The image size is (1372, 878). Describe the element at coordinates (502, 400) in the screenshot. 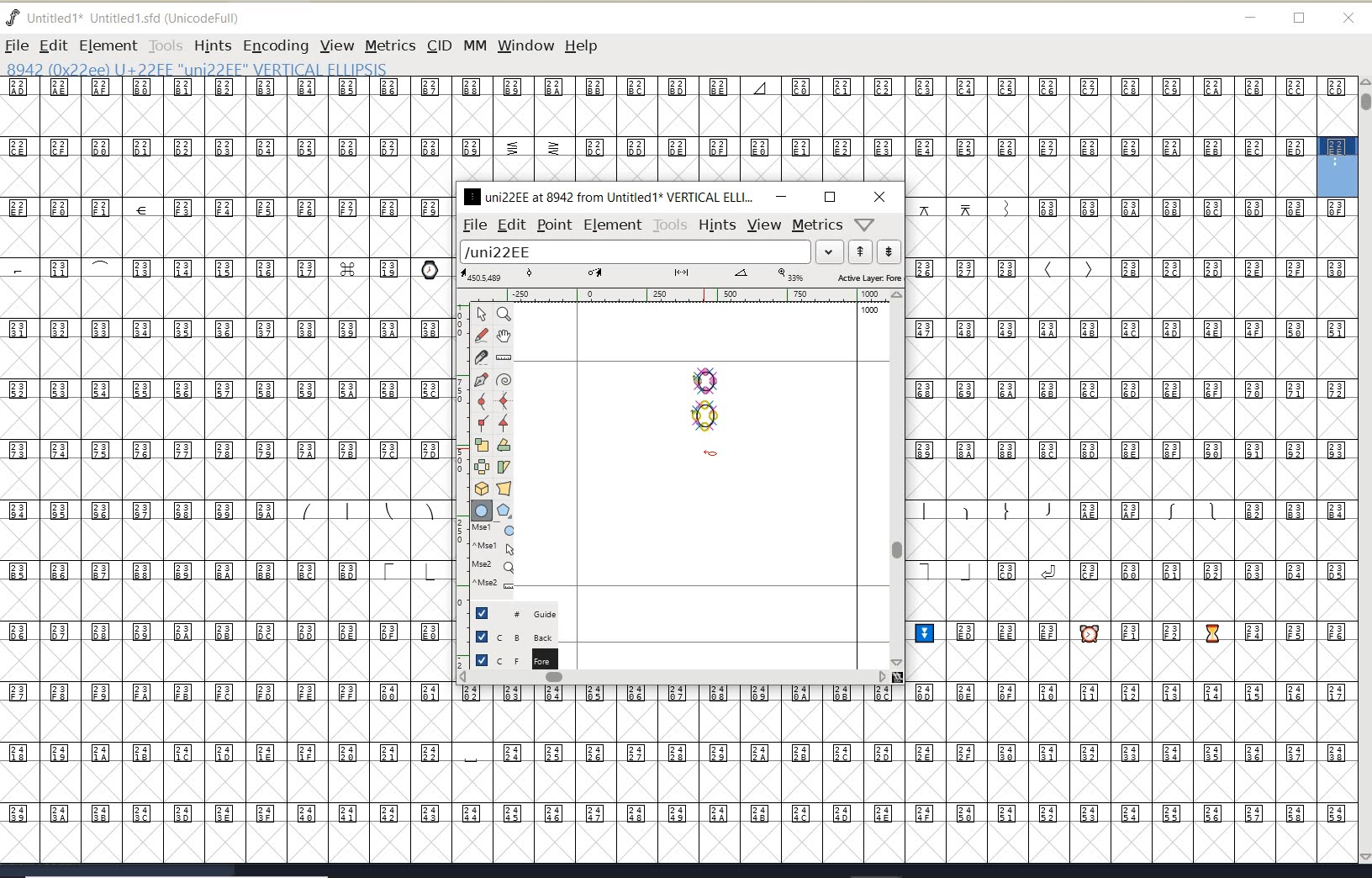

I see `add a curve point always either horizontal or vertical` at that location.